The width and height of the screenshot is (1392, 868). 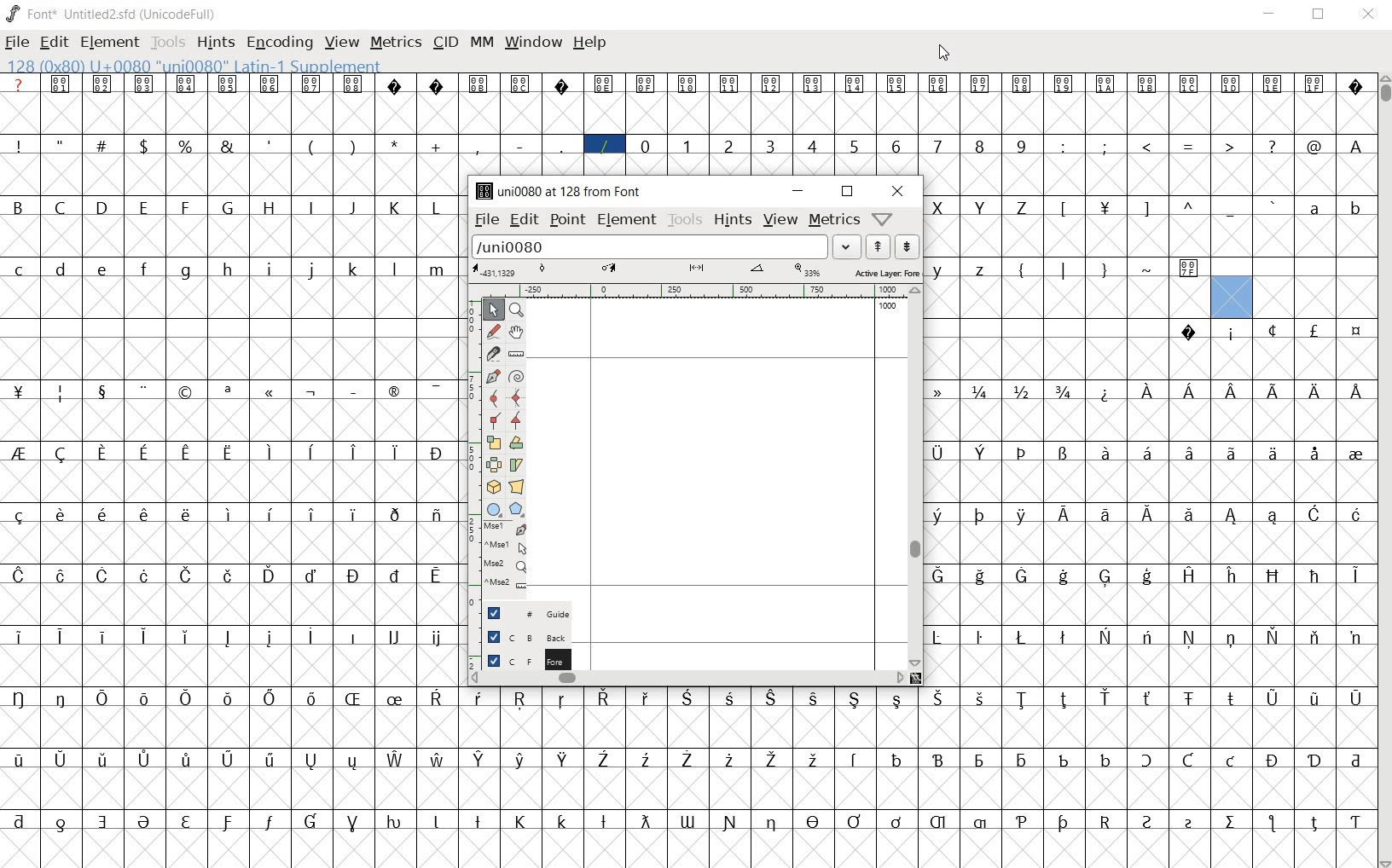 What do you see at coordinates (937, 576) in the screenshot?
I see `glyph` at bounding box center [937, 576].